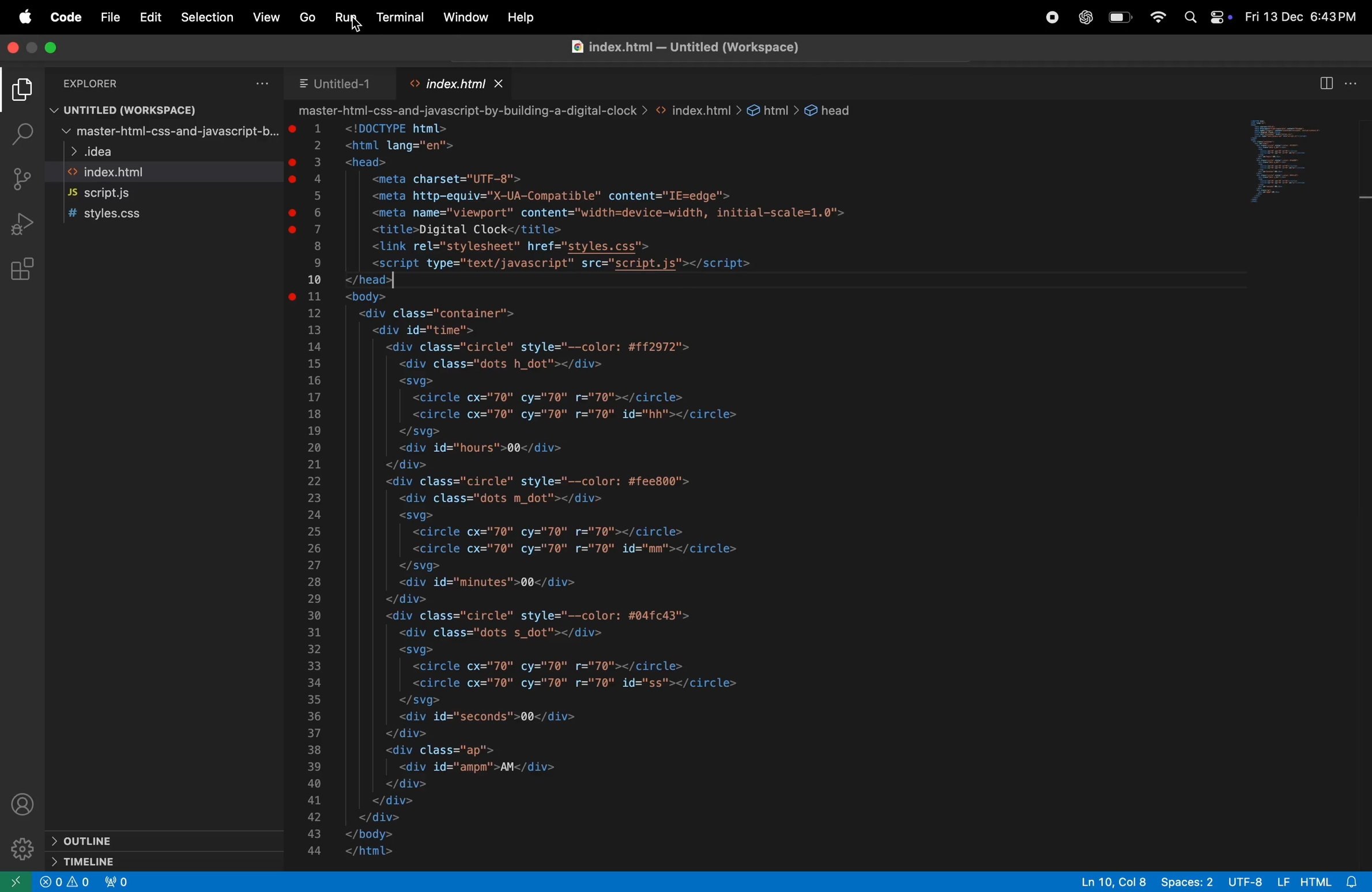 The width and height of the screenshot is (1372, 892). I want to click on open remote view, so click(18, 880).